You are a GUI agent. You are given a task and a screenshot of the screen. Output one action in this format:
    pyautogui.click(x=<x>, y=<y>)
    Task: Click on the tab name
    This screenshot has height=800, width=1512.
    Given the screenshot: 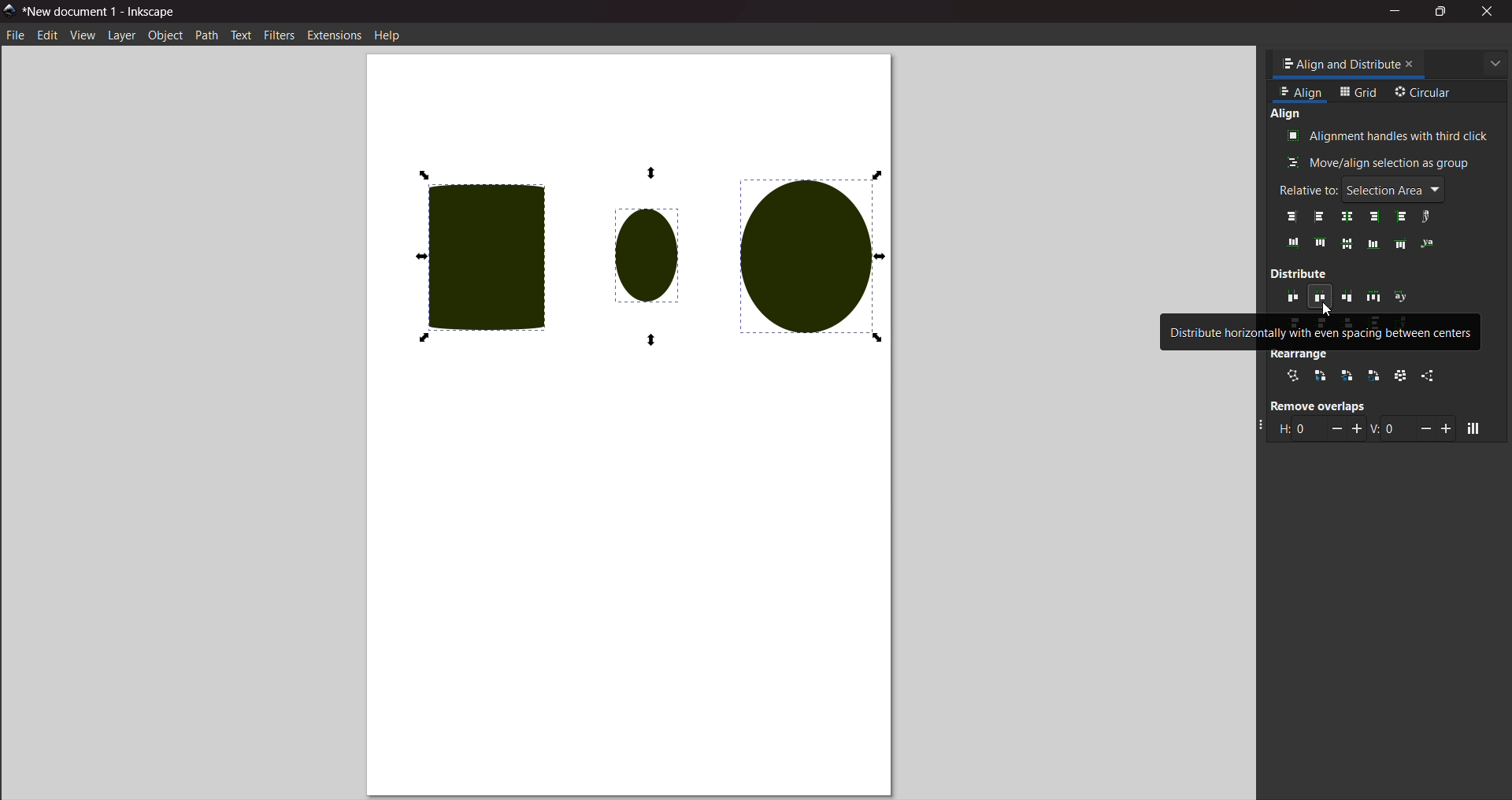 What is the action you would take?
    pyautogui.click(x=1339, y=61)
    